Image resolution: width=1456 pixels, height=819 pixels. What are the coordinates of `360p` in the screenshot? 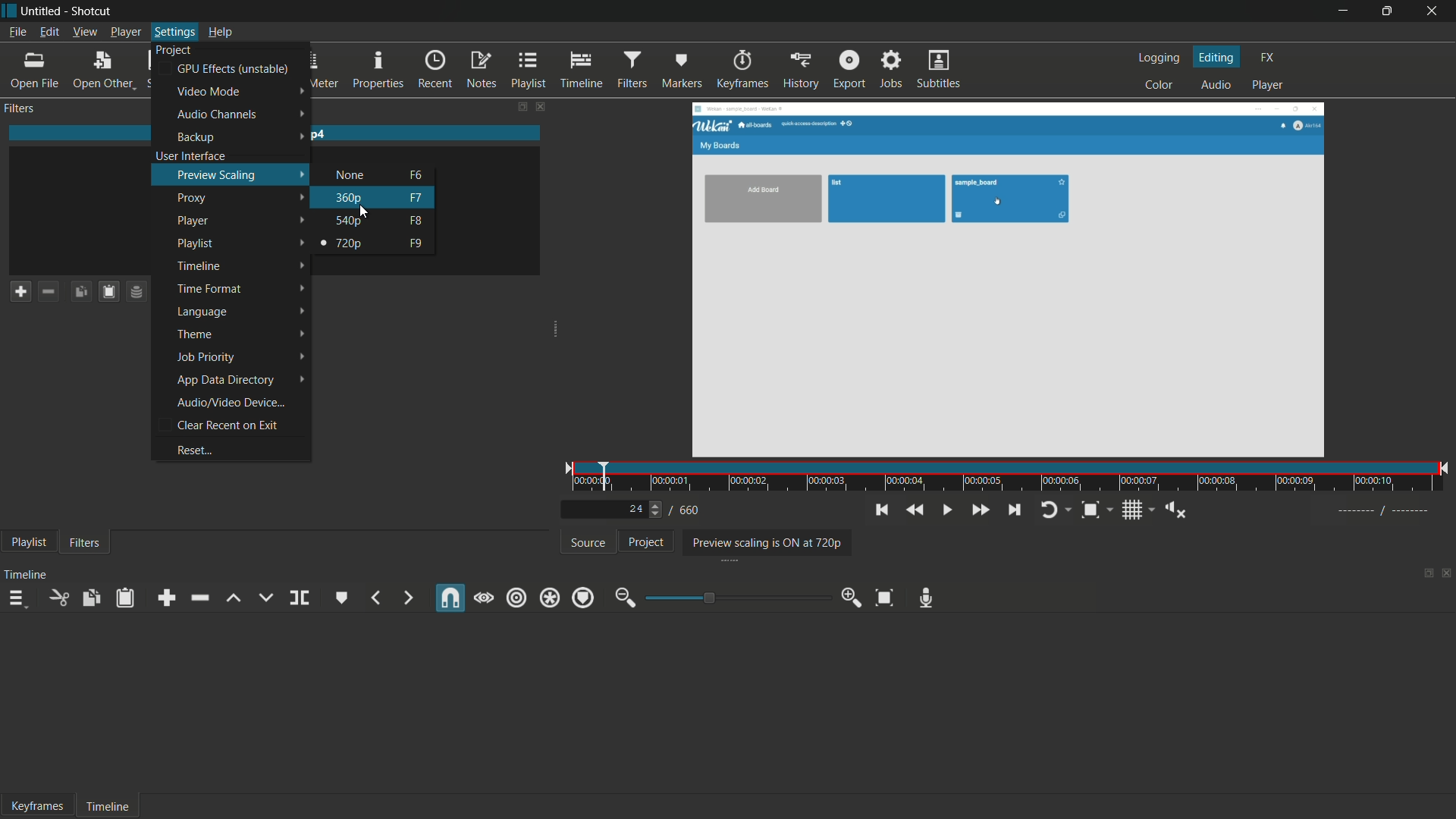 It's located at (350, 197).